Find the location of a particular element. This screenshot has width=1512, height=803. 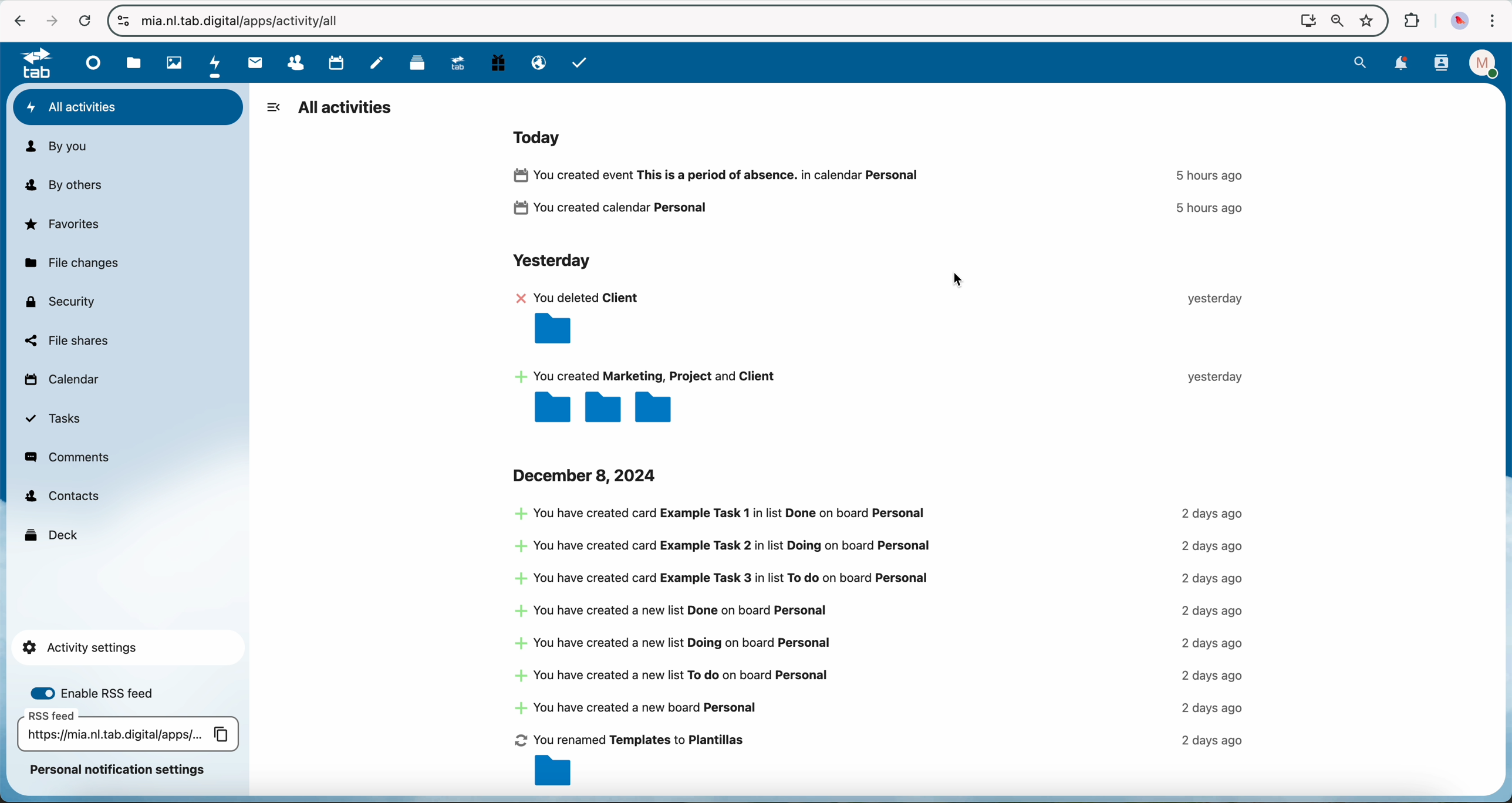

search is located at coordinates (1360, 62).